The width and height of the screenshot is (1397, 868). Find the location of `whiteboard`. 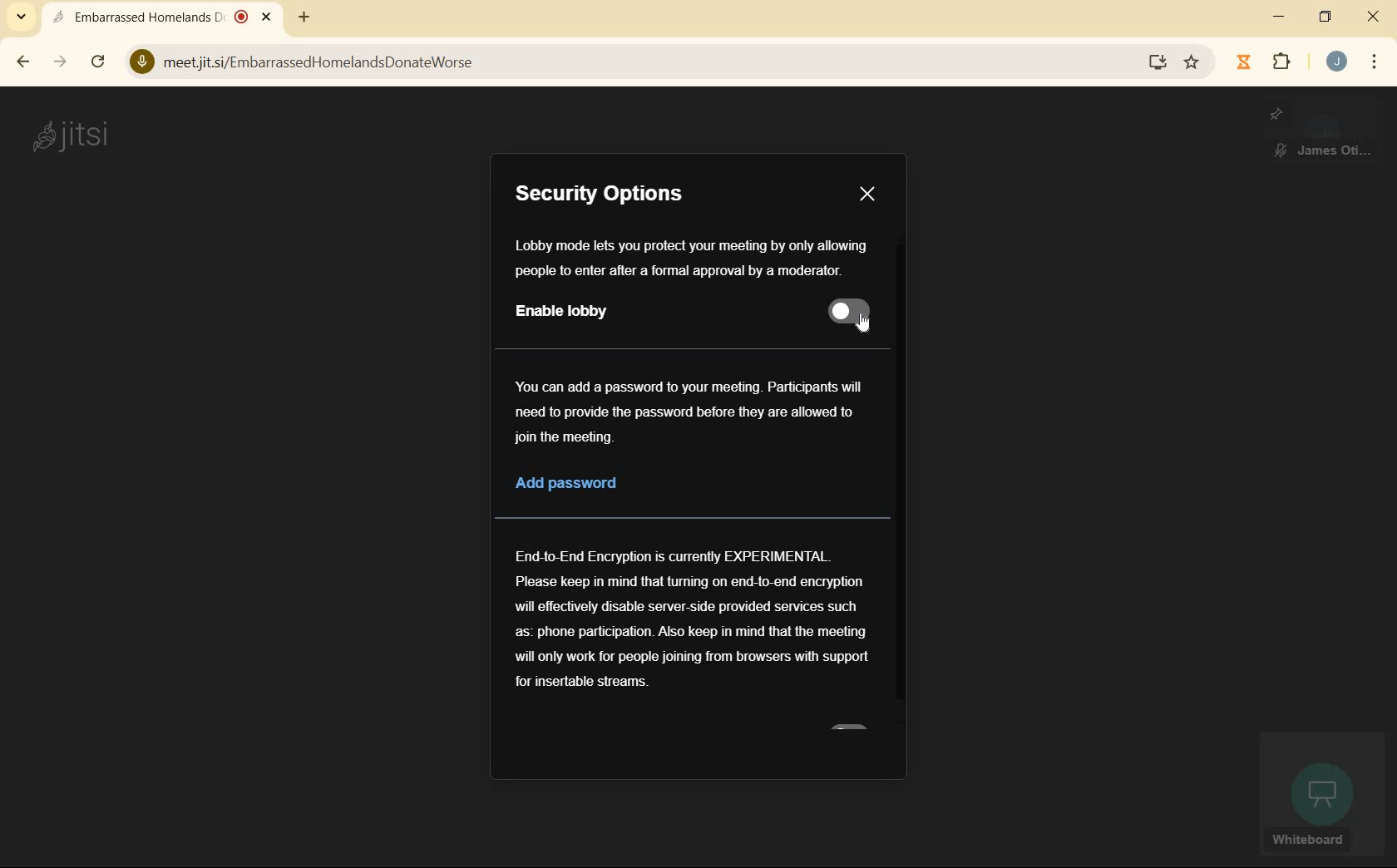

whiteboard is located at coordinates (1320, 795).